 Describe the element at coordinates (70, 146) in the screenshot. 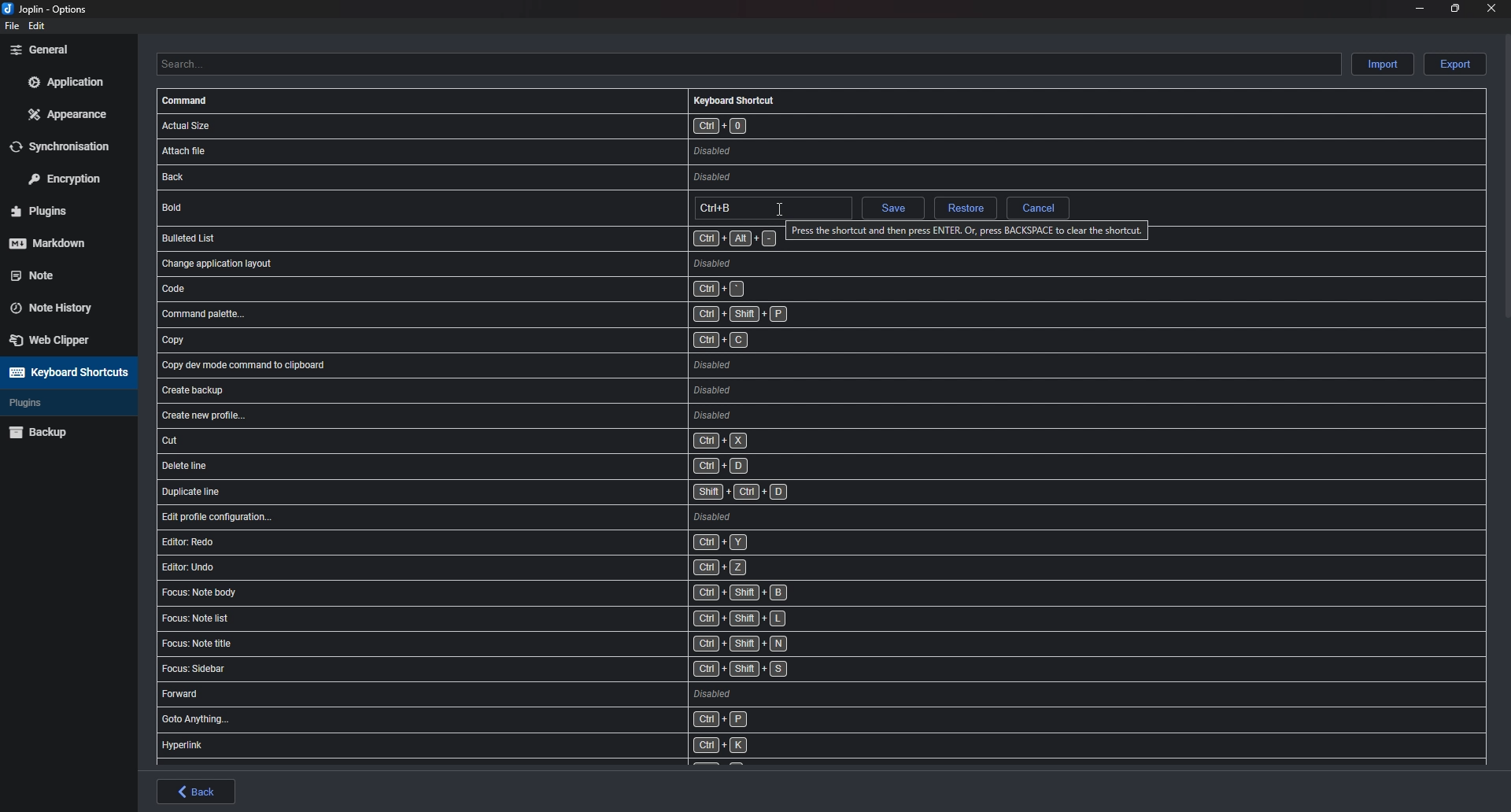

I see `Synchronization` at that location.